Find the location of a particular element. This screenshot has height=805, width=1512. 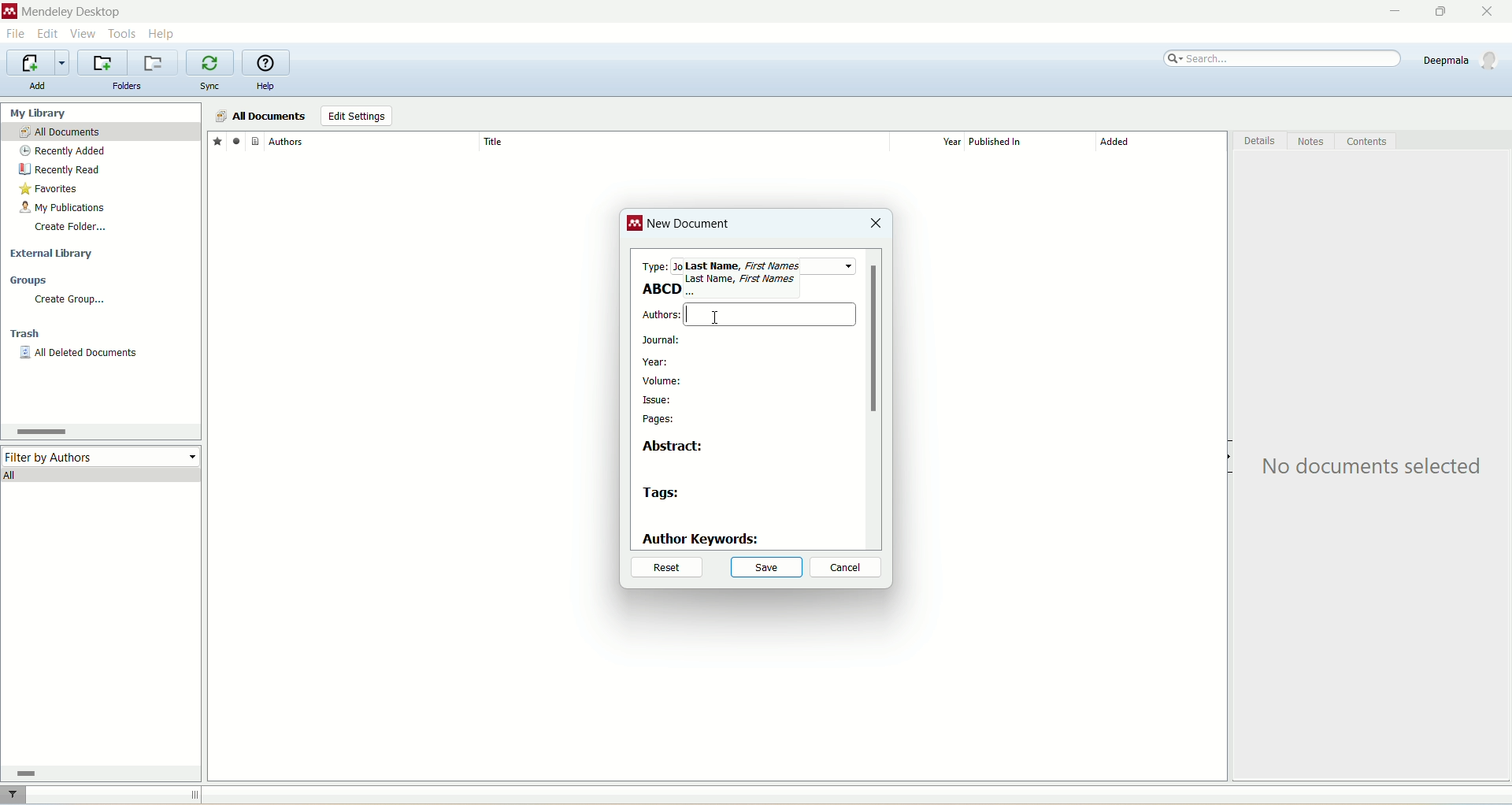

cursor is located at coordinates (714, 317).